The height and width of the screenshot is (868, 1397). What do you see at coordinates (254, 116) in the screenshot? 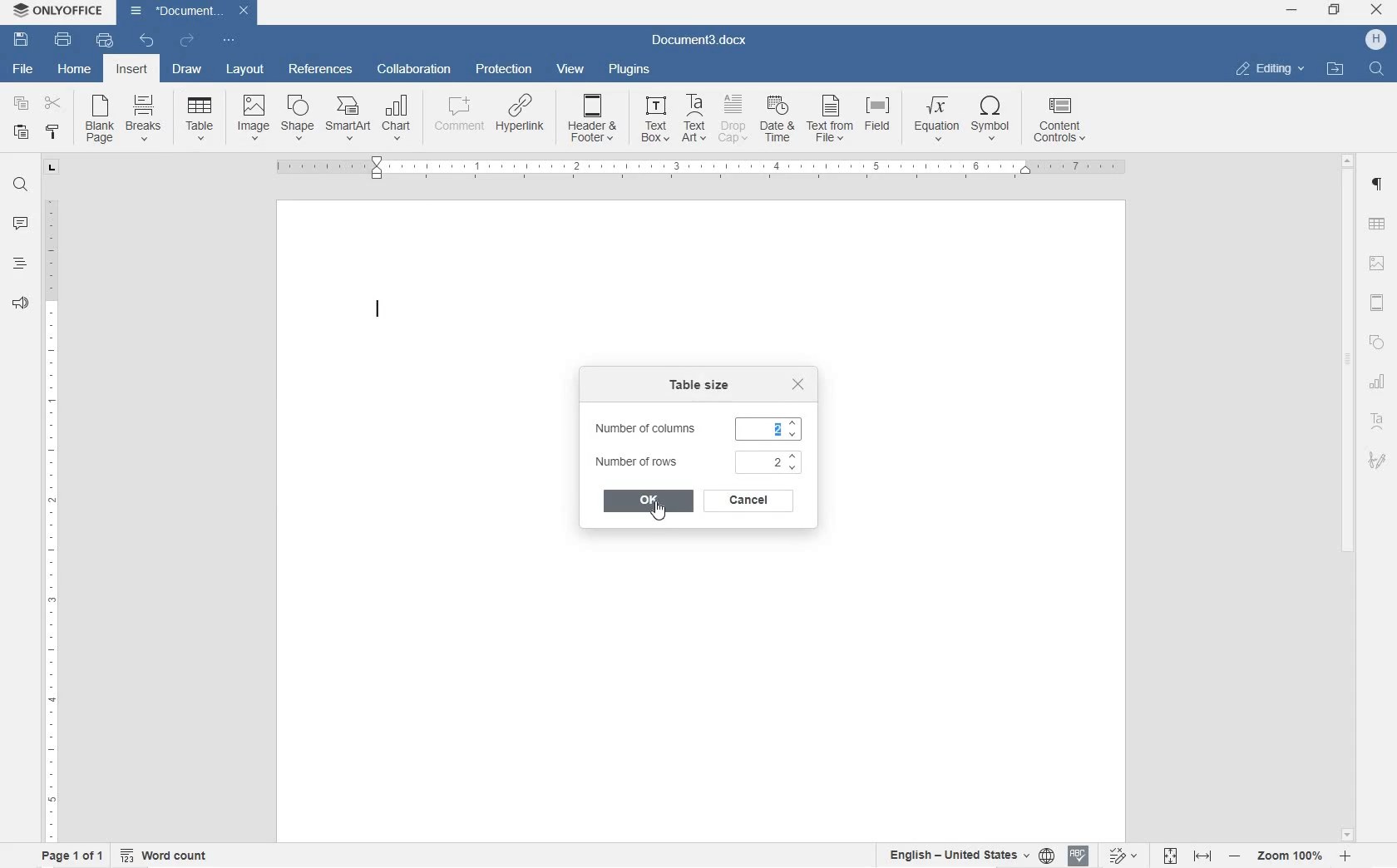
I see `Image` at bounding box center [254, 116].